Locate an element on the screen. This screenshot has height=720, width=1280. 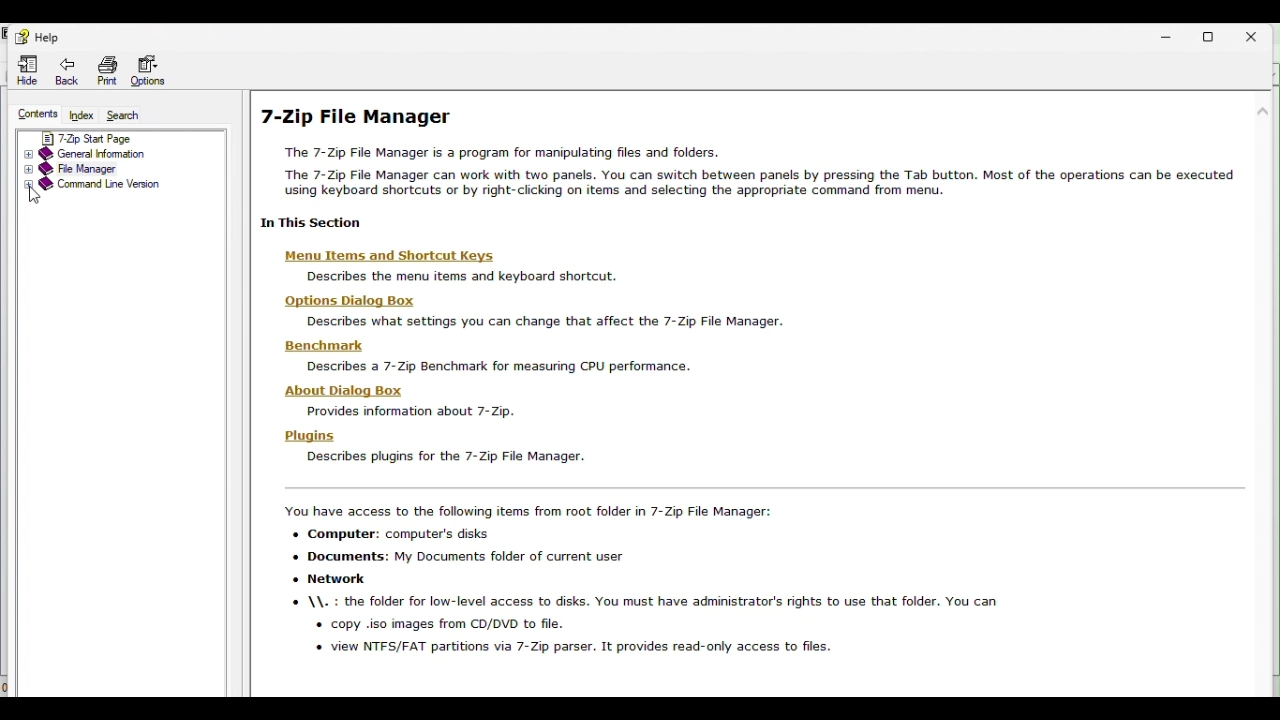
Index is located at coordinates (79, 113).